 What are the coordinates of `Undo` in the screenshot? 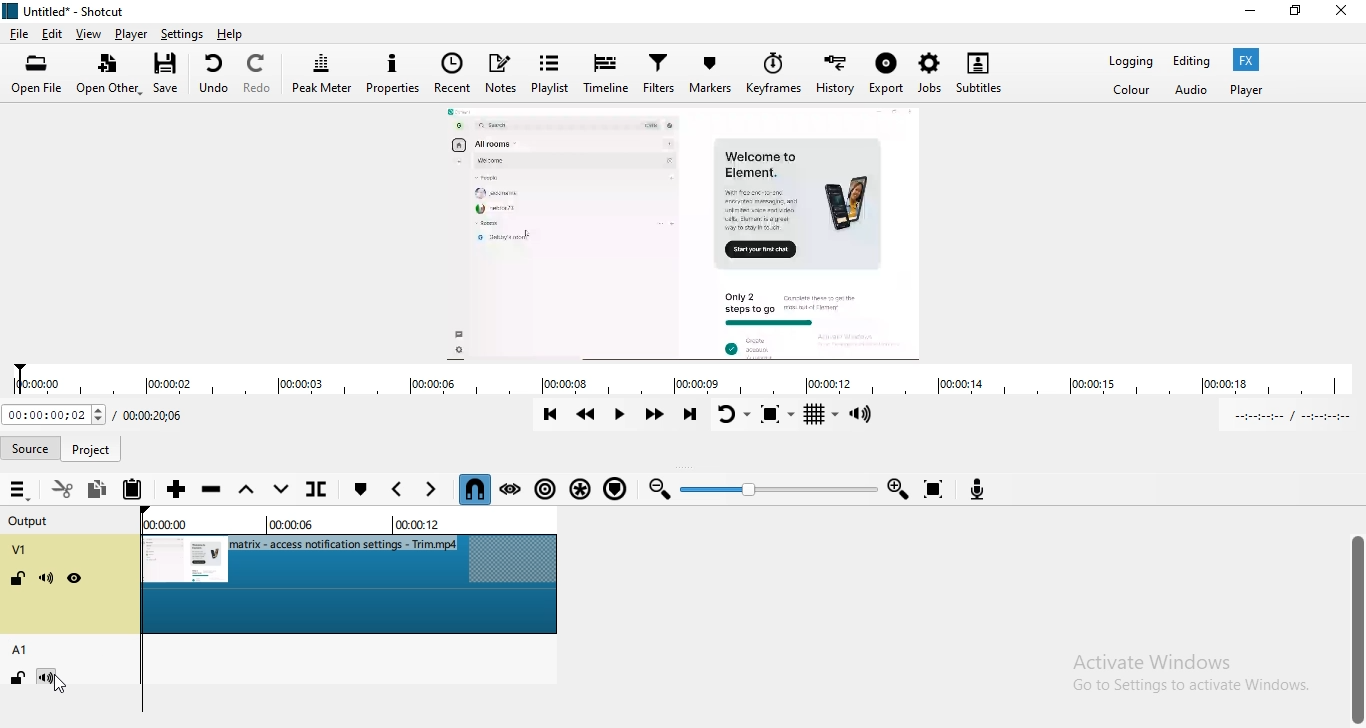 It's located at (213, 76).